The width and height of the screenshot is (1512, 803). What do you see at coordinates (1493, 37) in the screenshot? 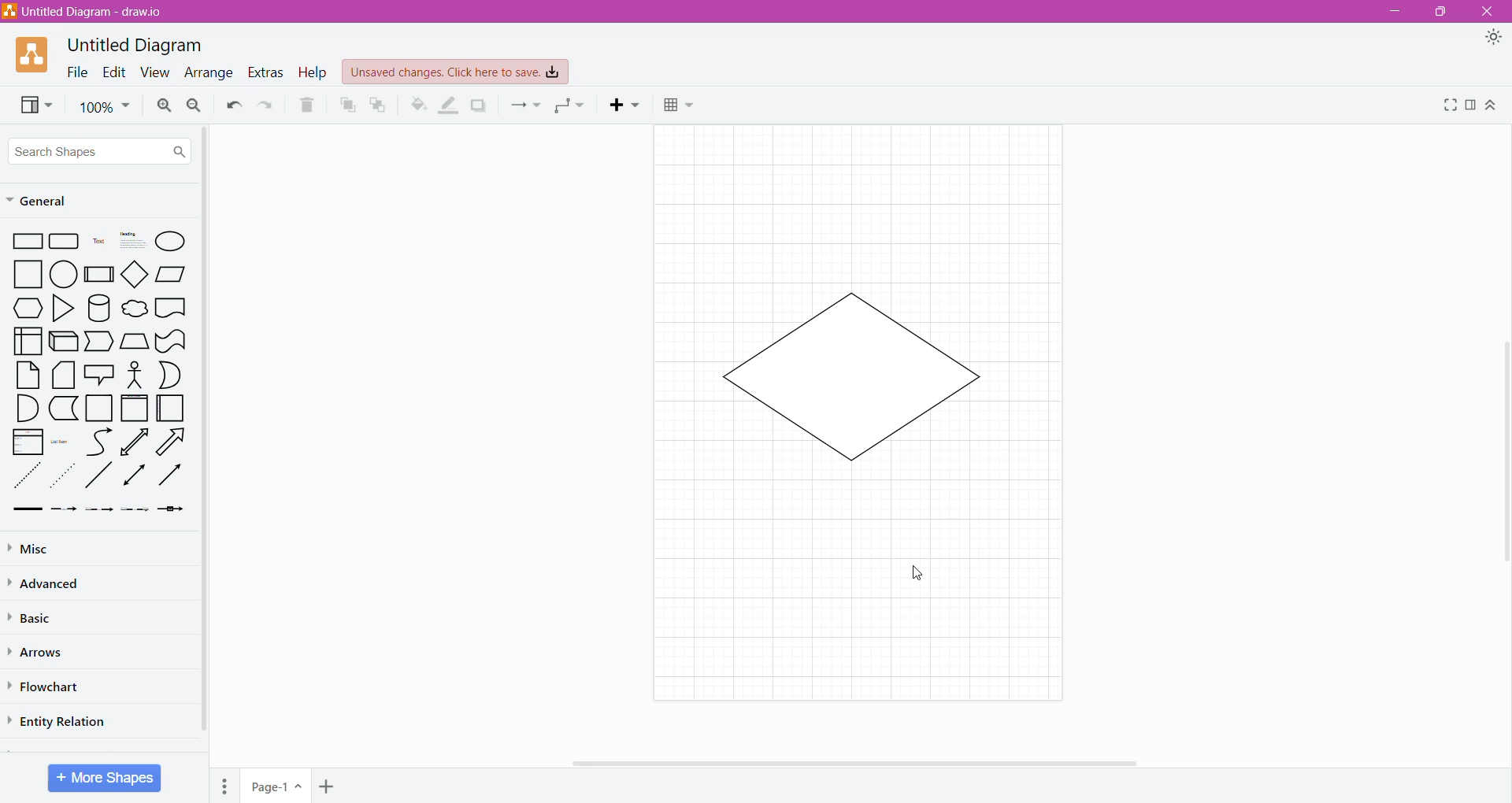
I see `Appearance` at bounding box center [1493, 37].